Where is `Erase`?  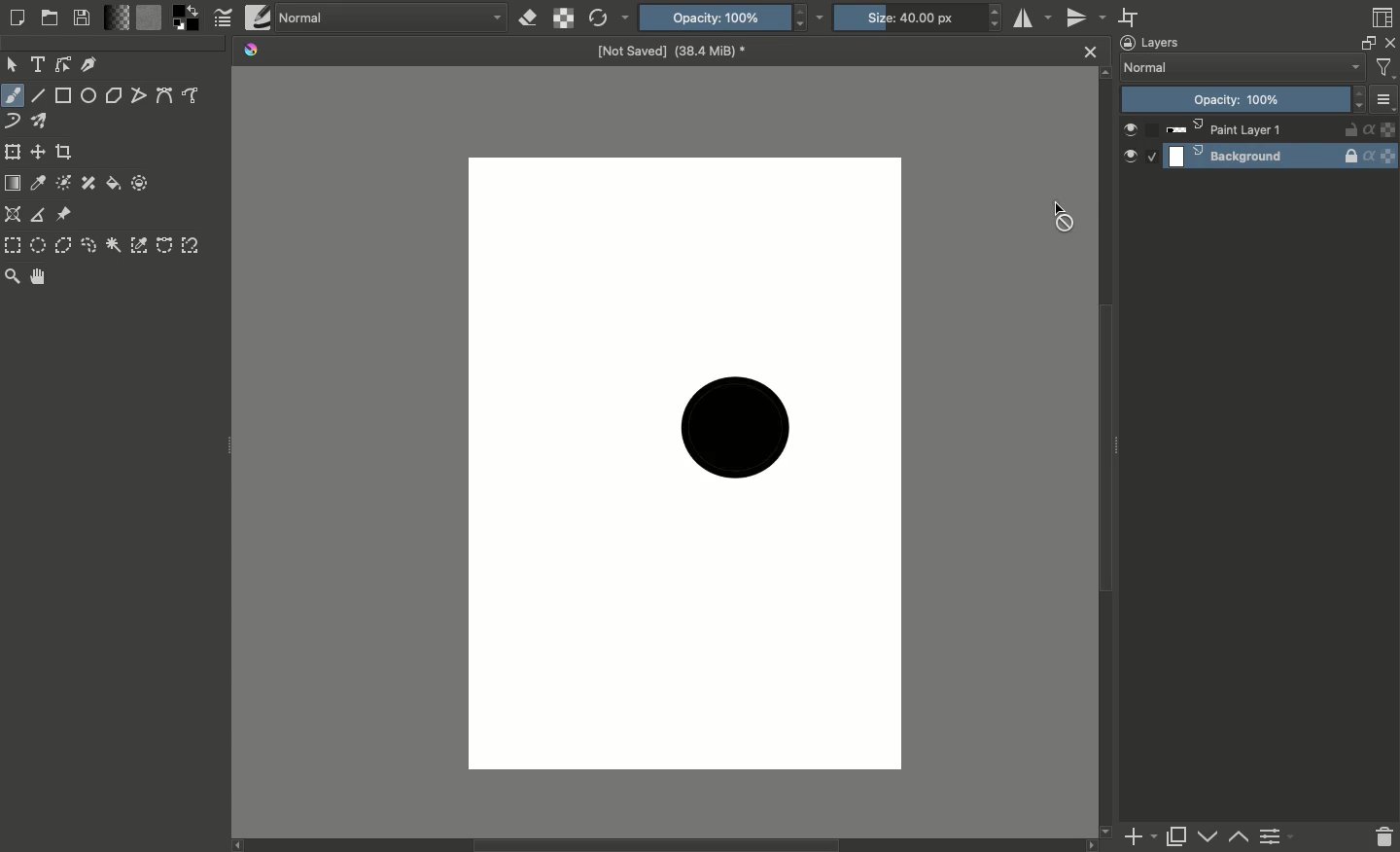 Erase is located at coordinates (531, 18).